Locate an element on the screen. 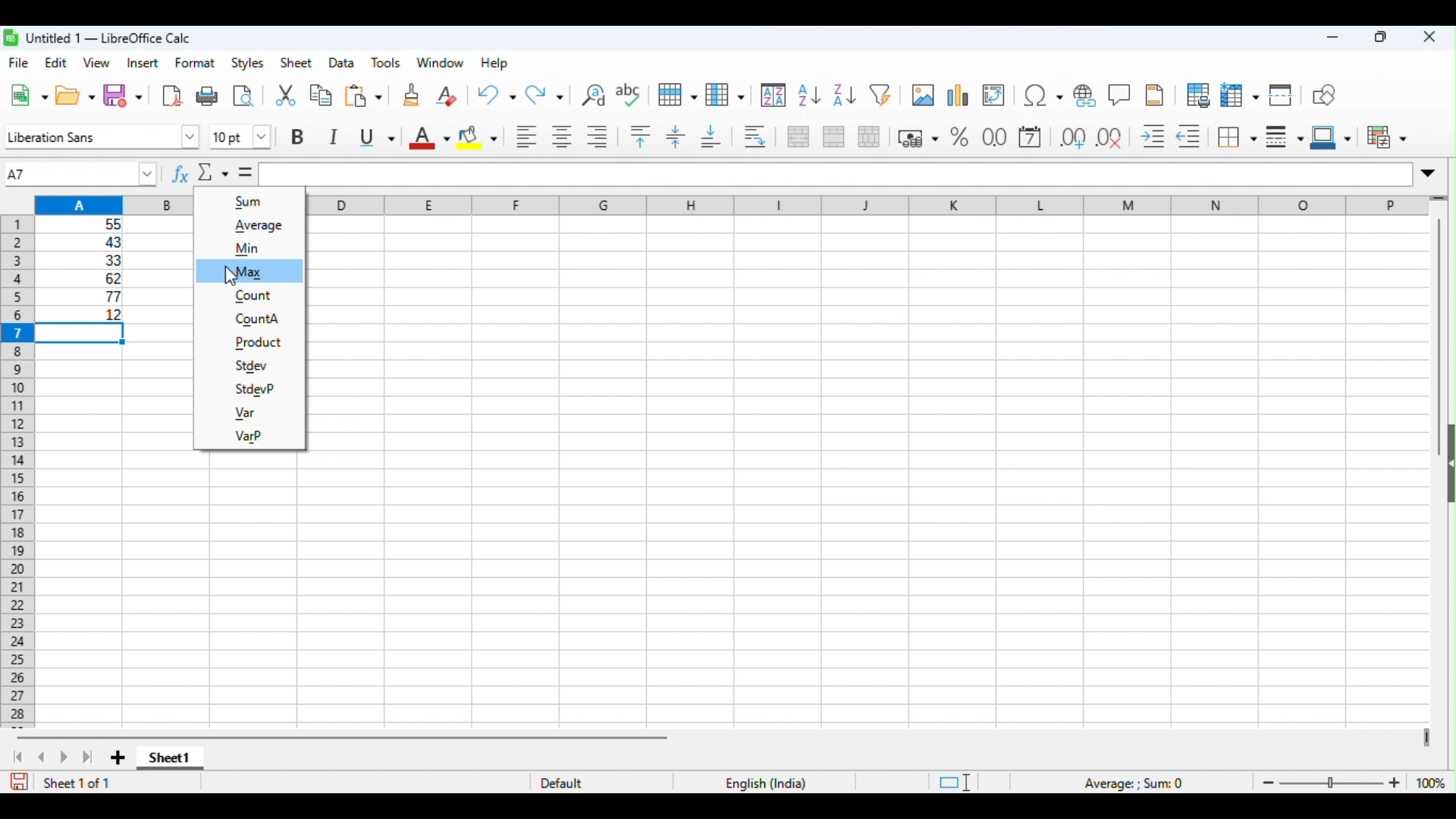 The width and height of the screenshot is (1456, 819). function wizard is located at coordinates (177, 174).